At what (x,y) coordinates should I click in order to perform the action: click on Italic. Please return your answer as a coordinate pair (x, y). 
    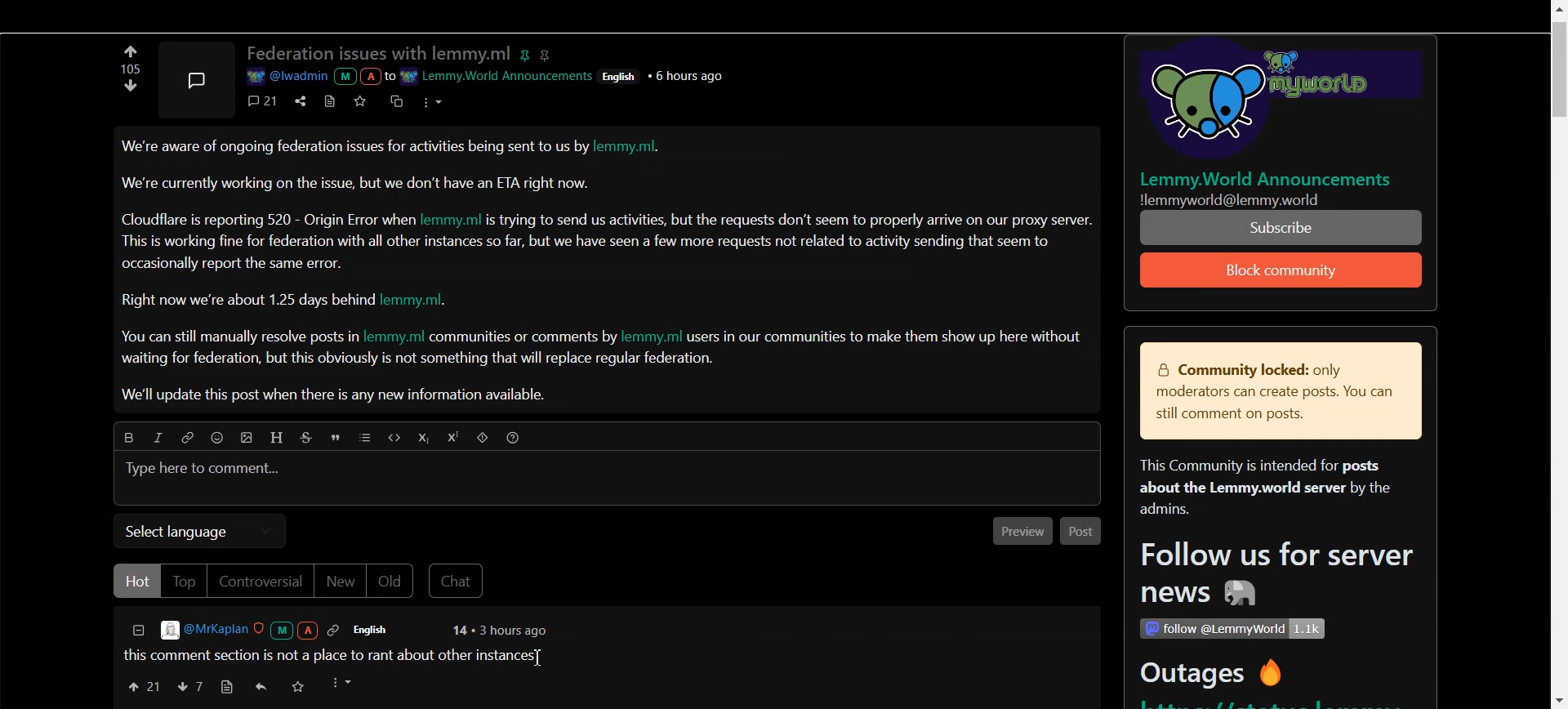
    Looking at the image, I should click on (157, 437).